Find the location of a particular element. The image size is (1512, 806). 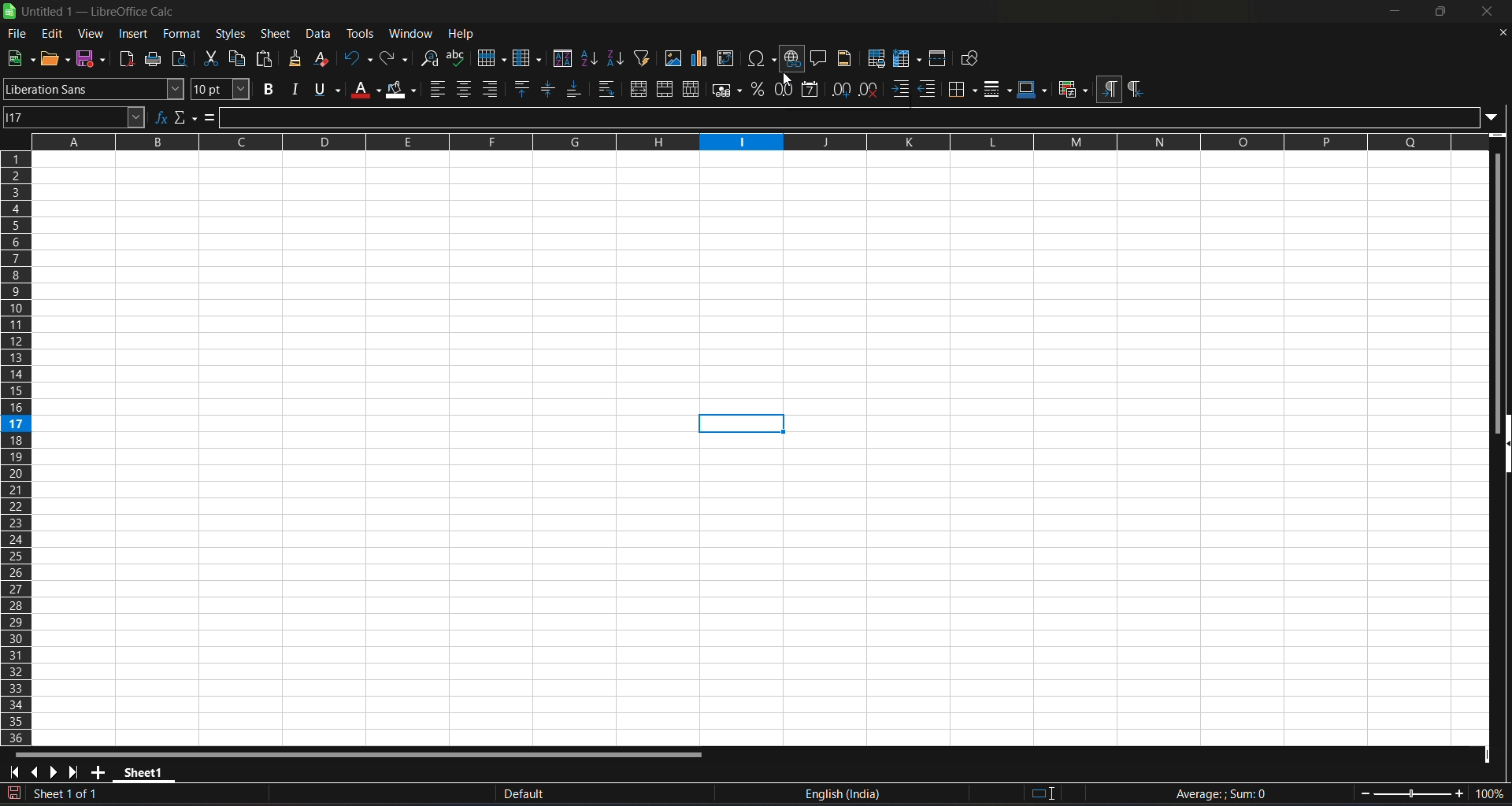

rows is located at coordinates (749, 147).